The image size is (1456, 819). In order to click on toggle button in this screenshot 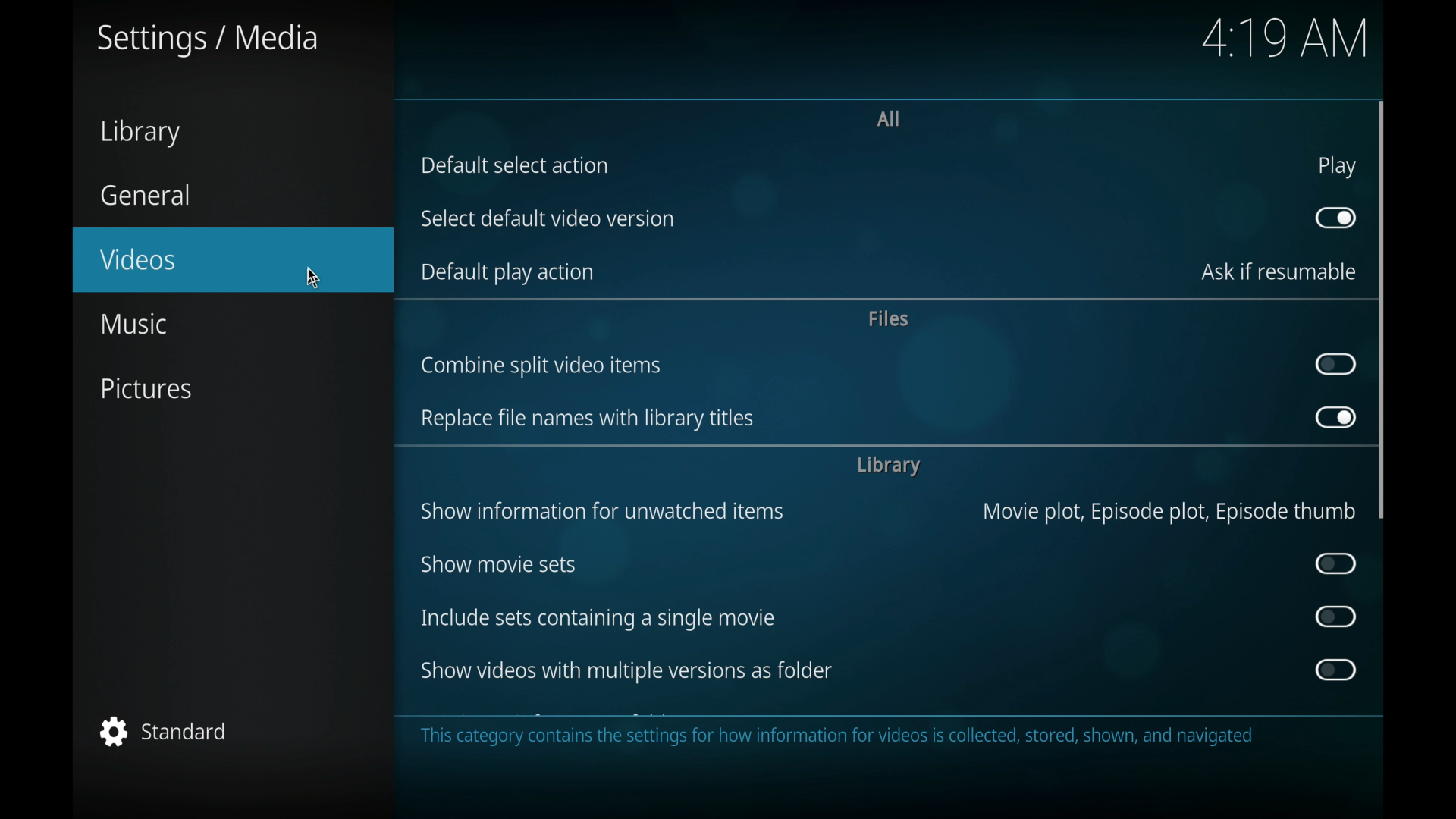, I will do `click(1337, 617)`.